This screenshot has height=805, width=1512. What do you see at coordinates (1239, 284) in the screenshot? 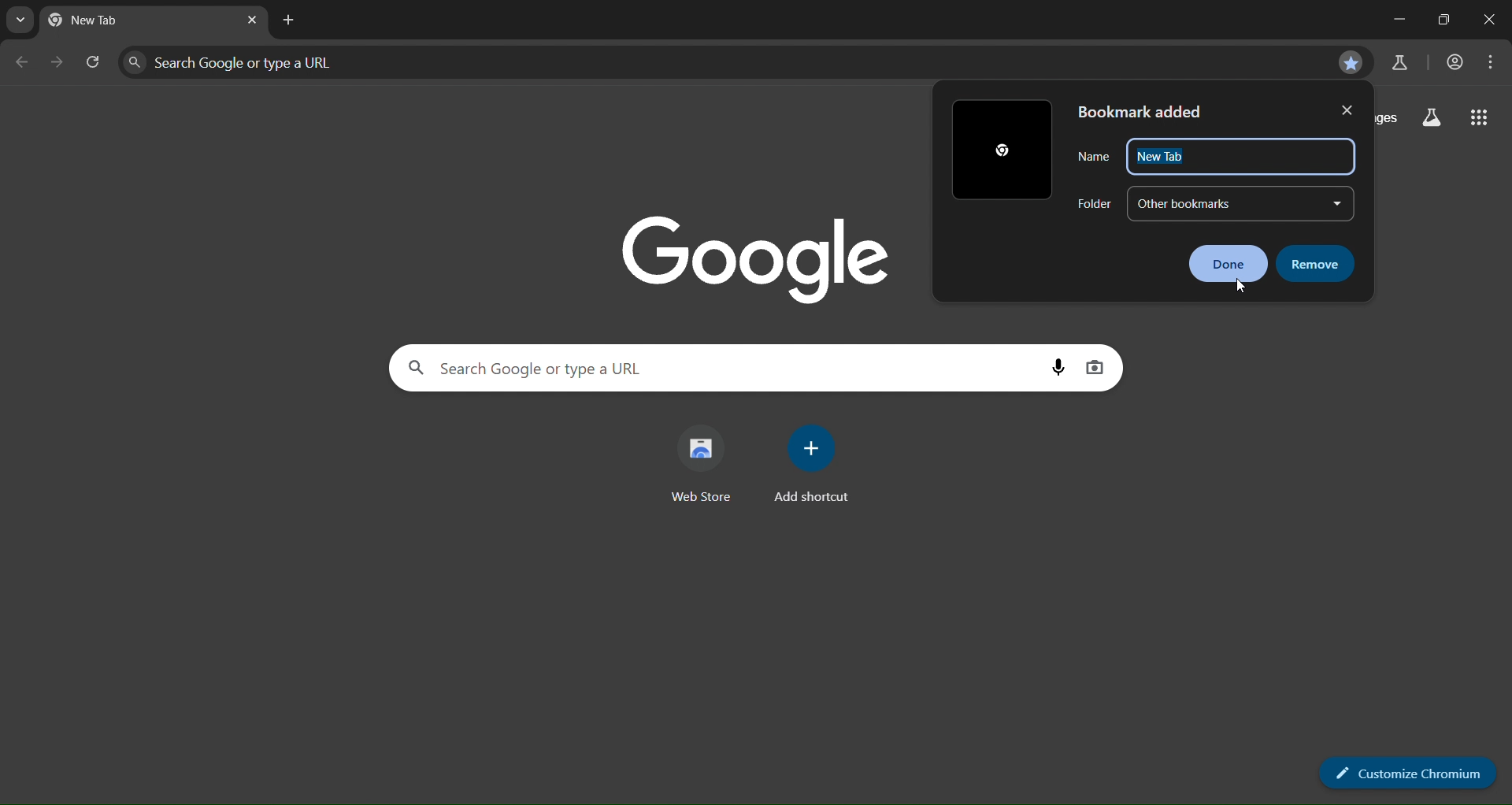
I see `cursor` at bounding box center [1239, 284].